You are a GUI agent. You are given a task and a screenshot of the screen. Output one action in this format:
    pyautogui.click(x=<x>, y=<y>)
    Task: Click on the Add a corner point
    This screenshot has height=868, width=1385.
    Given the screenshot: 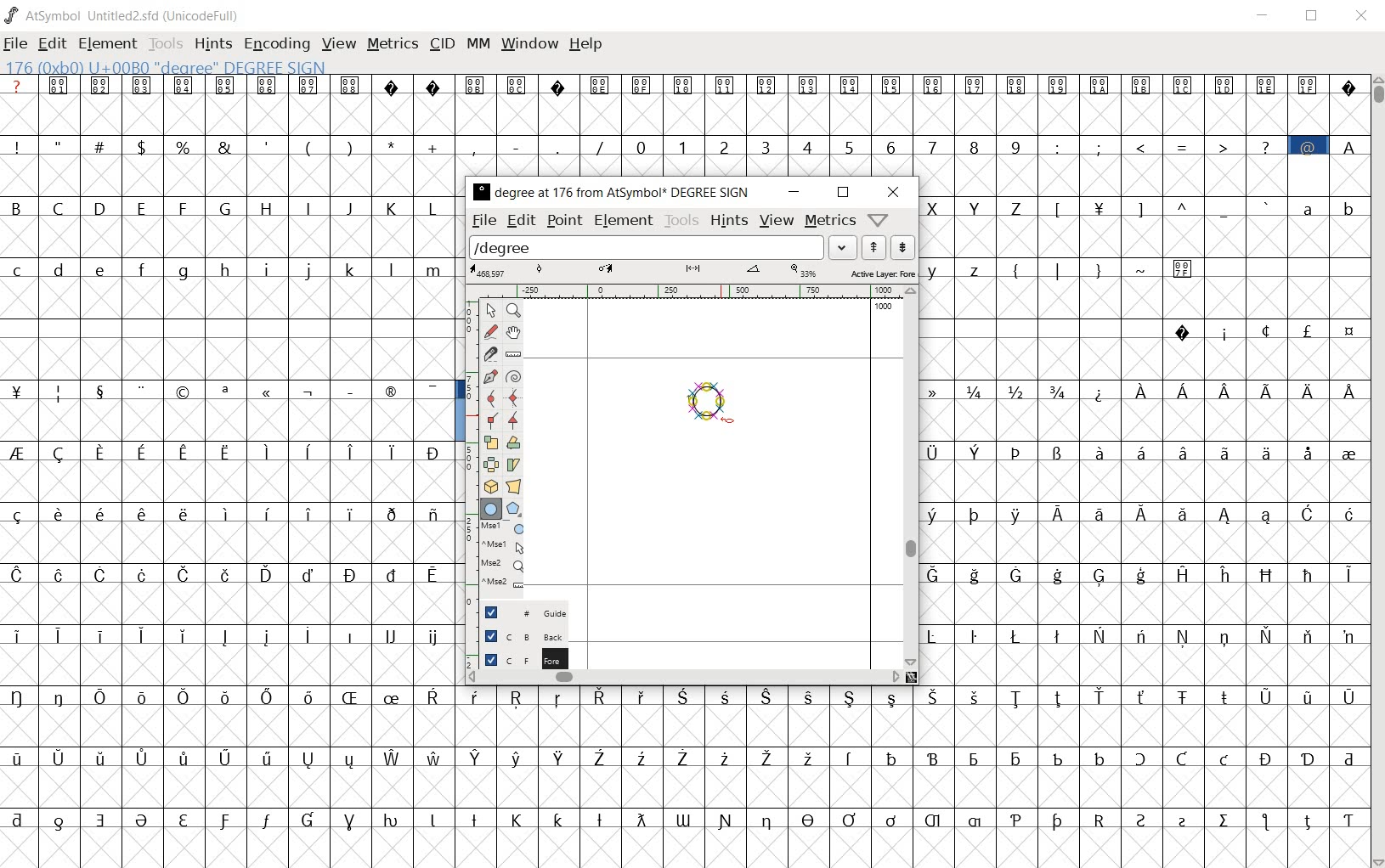 What is the action you would take?
    pyautogui.click(x=490, y=422)
    